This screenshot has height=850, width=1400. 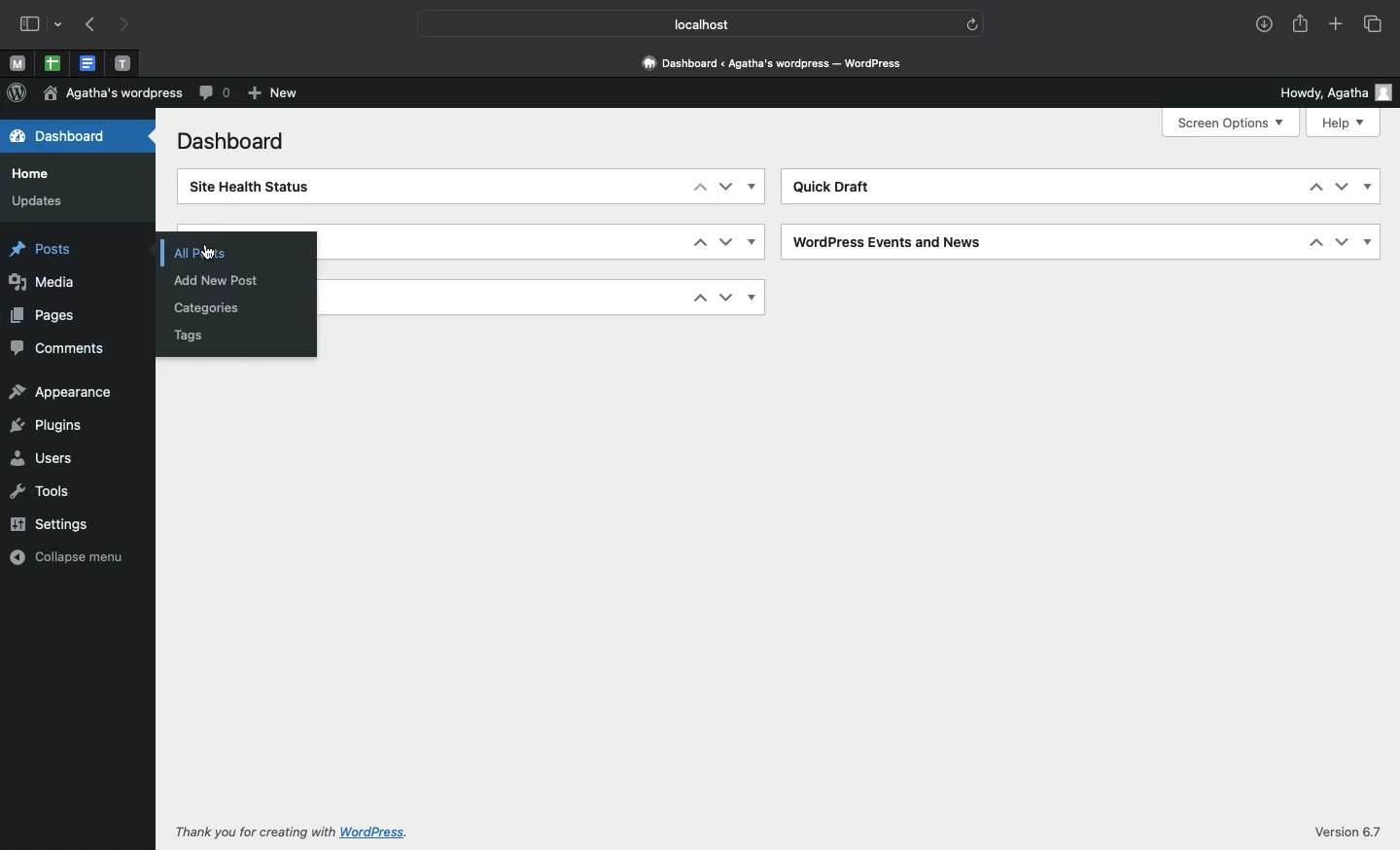 I want to click on Home, so click(x=33, y=174).